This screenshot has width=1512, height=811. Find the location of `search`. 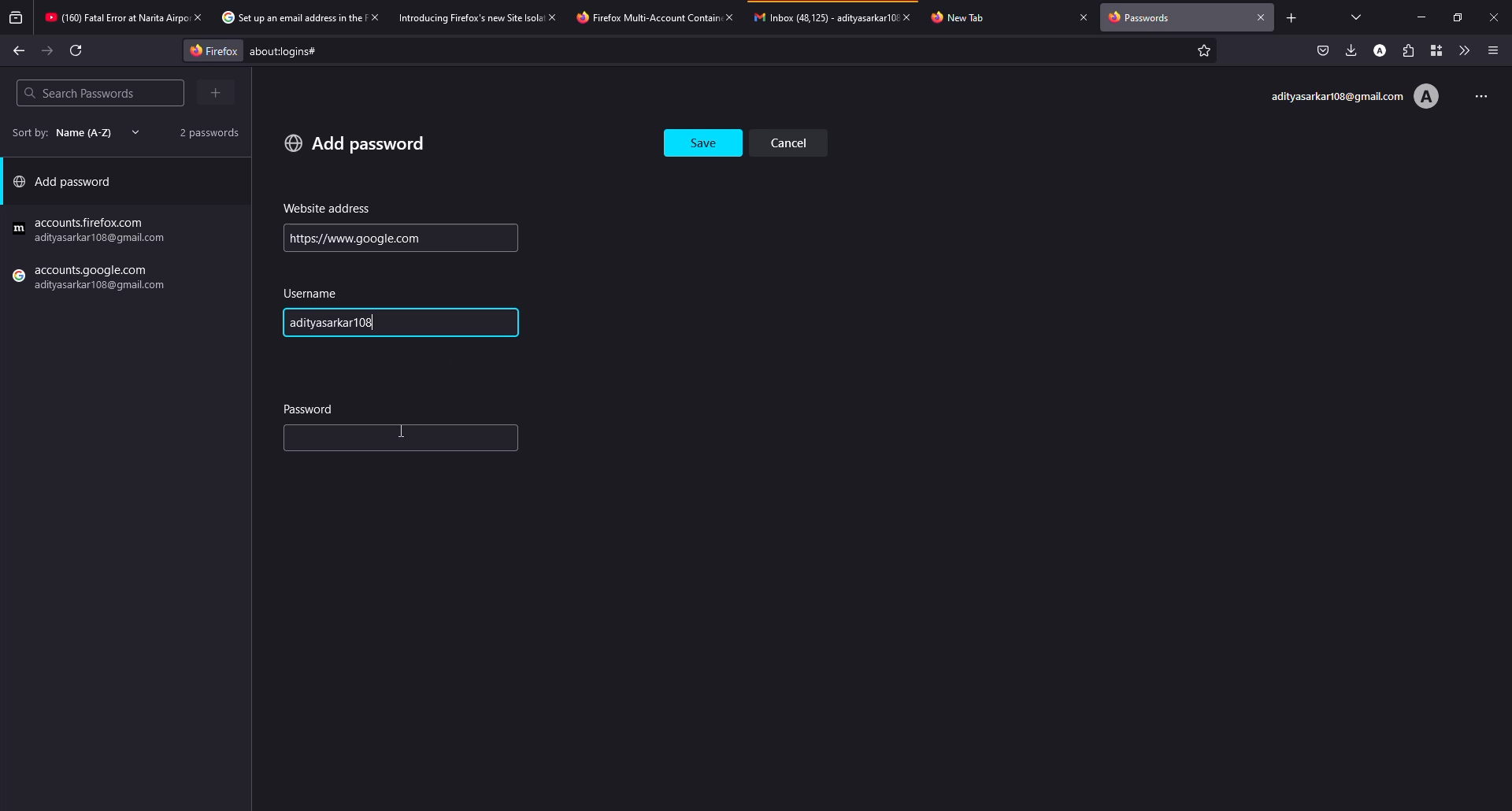

search is located at coordinates (79, 93).